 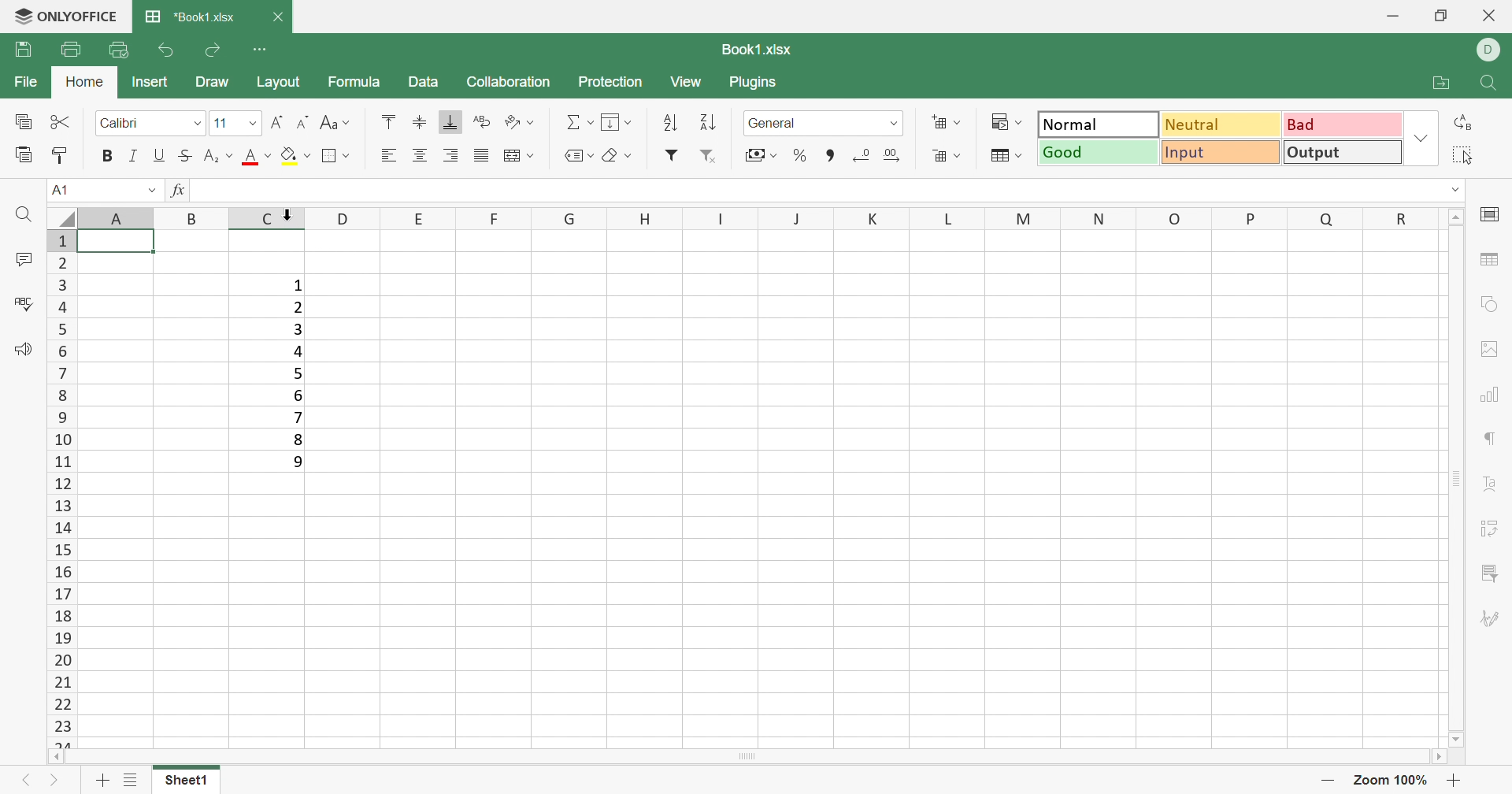 What do you see at coordinates (1492, 440) in the screenshot?
I see `Paragraph settings` at bounding box center [1492, 440].